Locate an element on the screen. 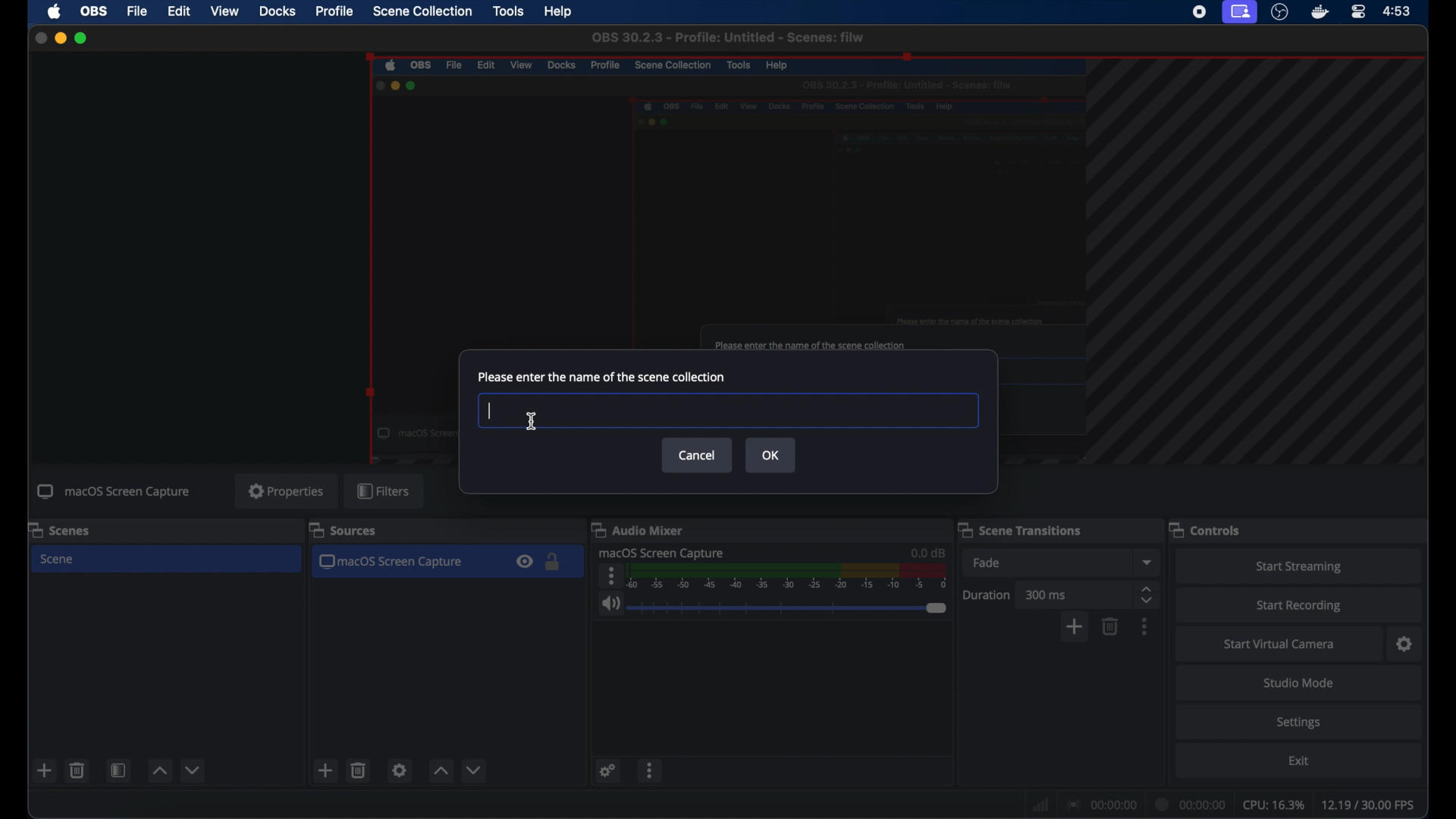  cancel is located at coordinates (698, 455).